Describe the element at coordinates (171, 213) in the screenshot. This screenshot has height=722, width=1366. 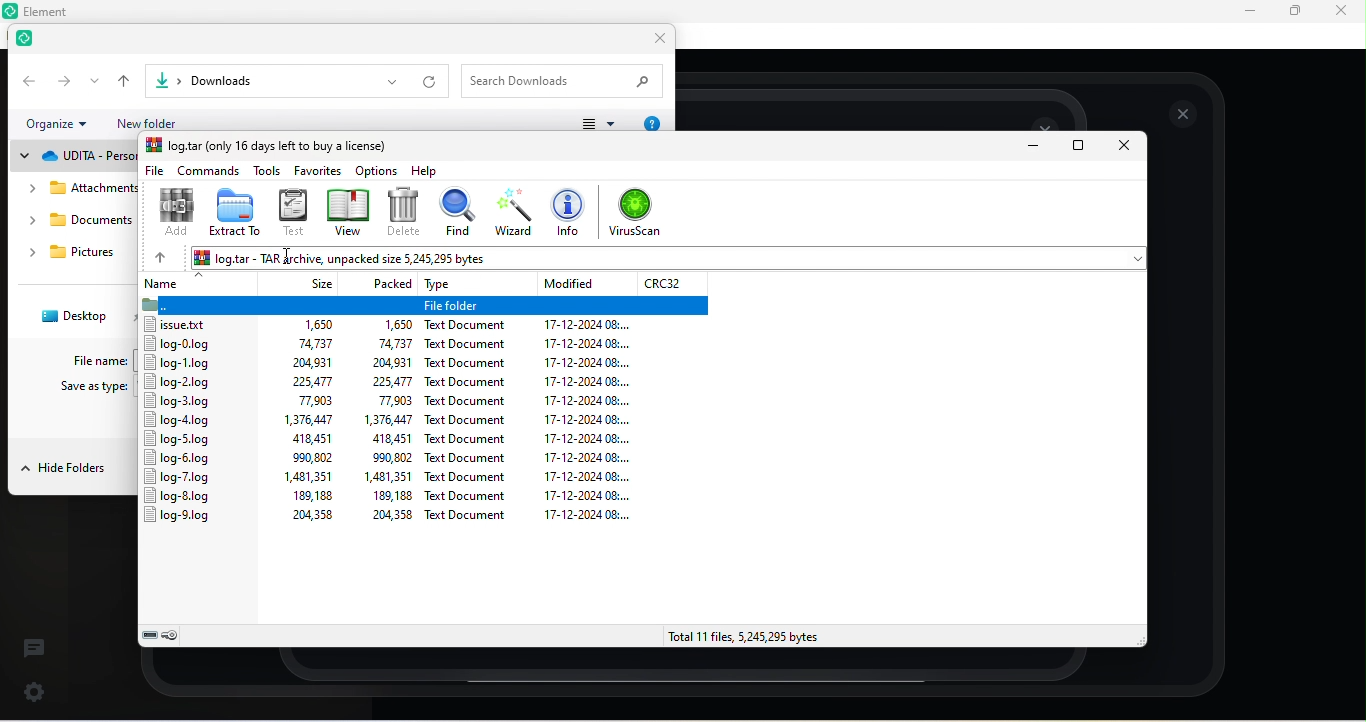
I see `add` at that location.